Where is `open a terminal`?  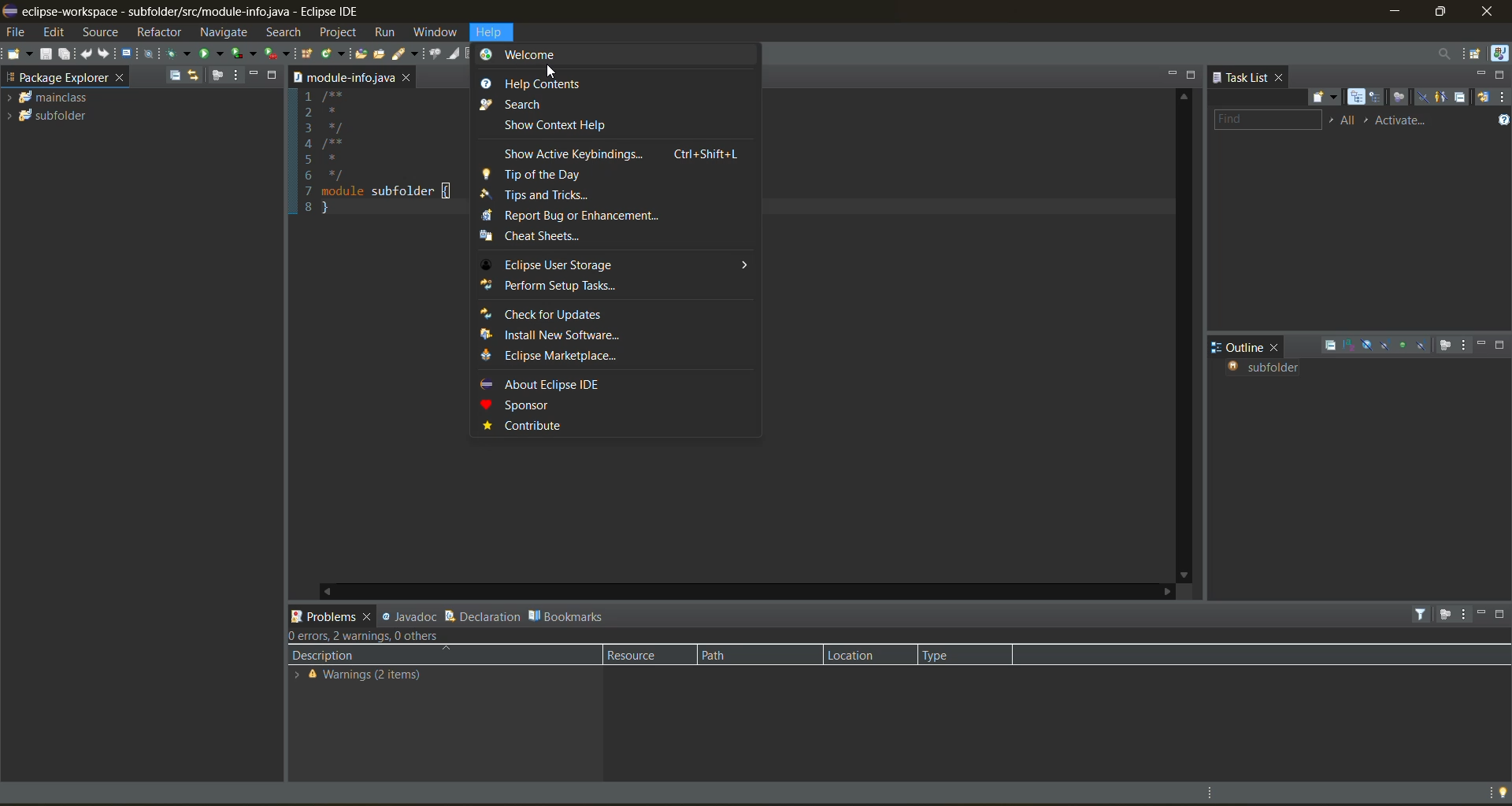 open a terminal is located at coordinates (128, 52).